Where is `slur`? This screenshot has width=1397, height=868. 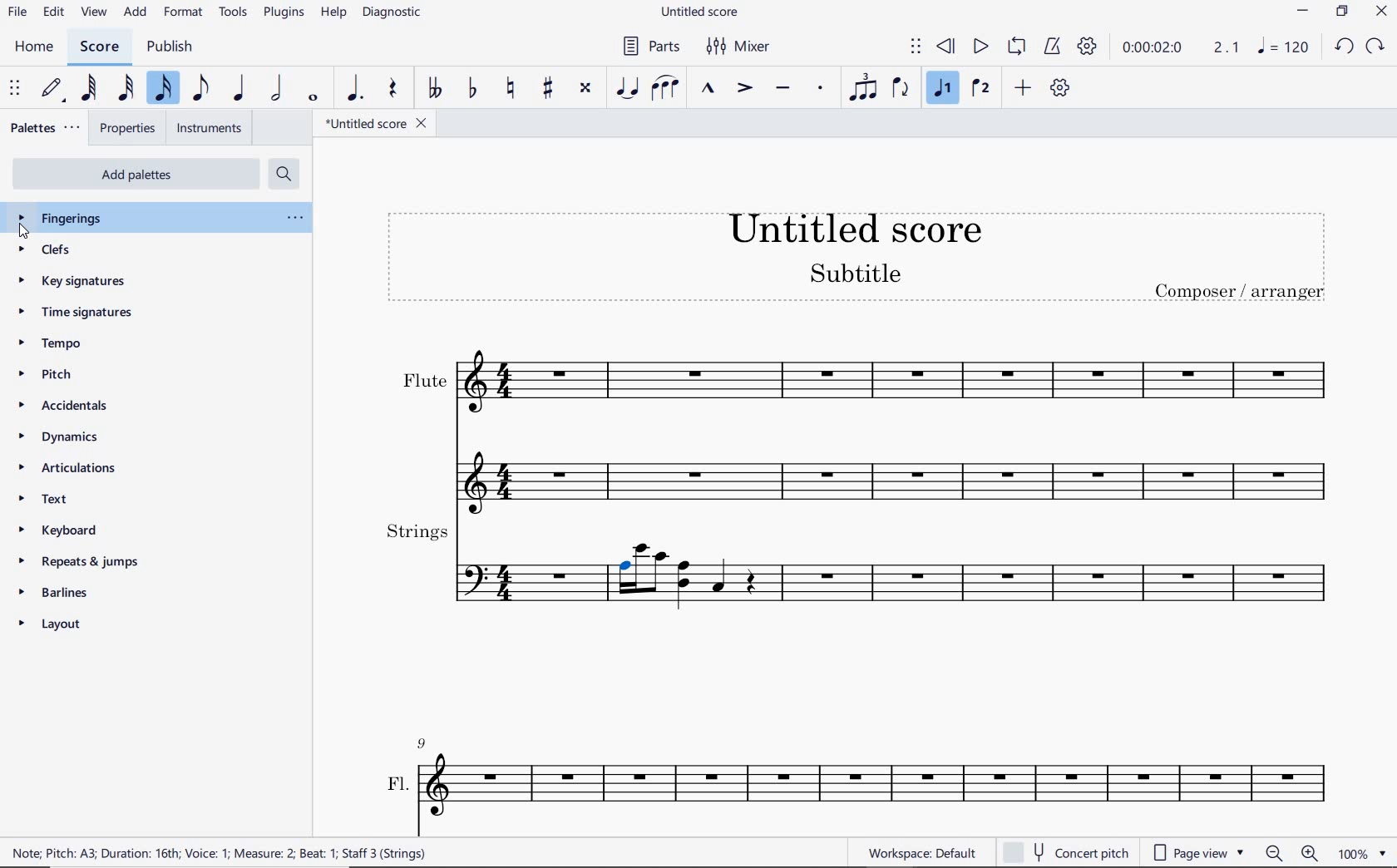 slur is located at coordinates (664, 90).